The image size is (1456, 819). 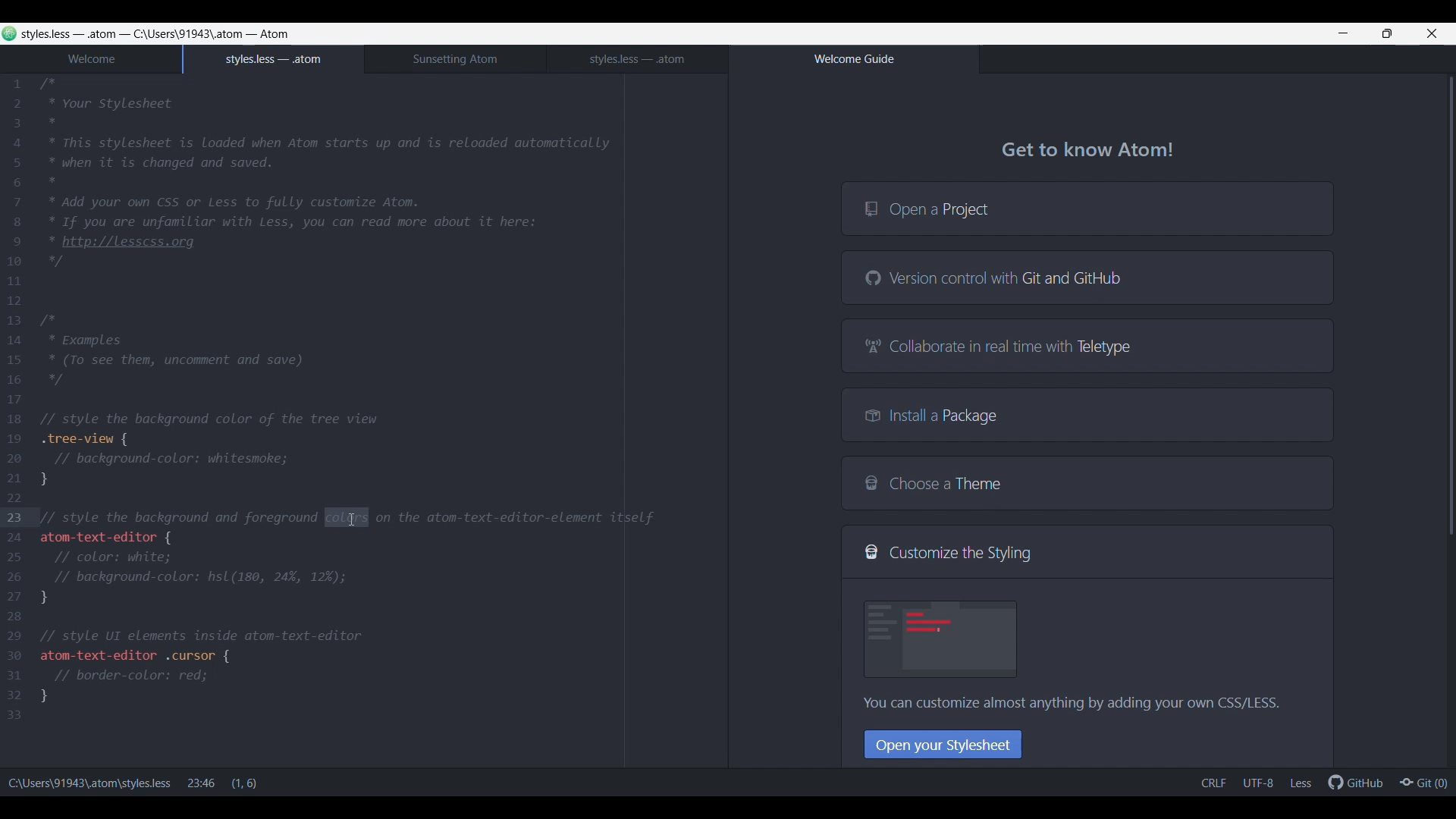 What do you see at coordinates (1343, 33) in the screenshot?
I see `Minimize` at bounding box center [1343, 33].